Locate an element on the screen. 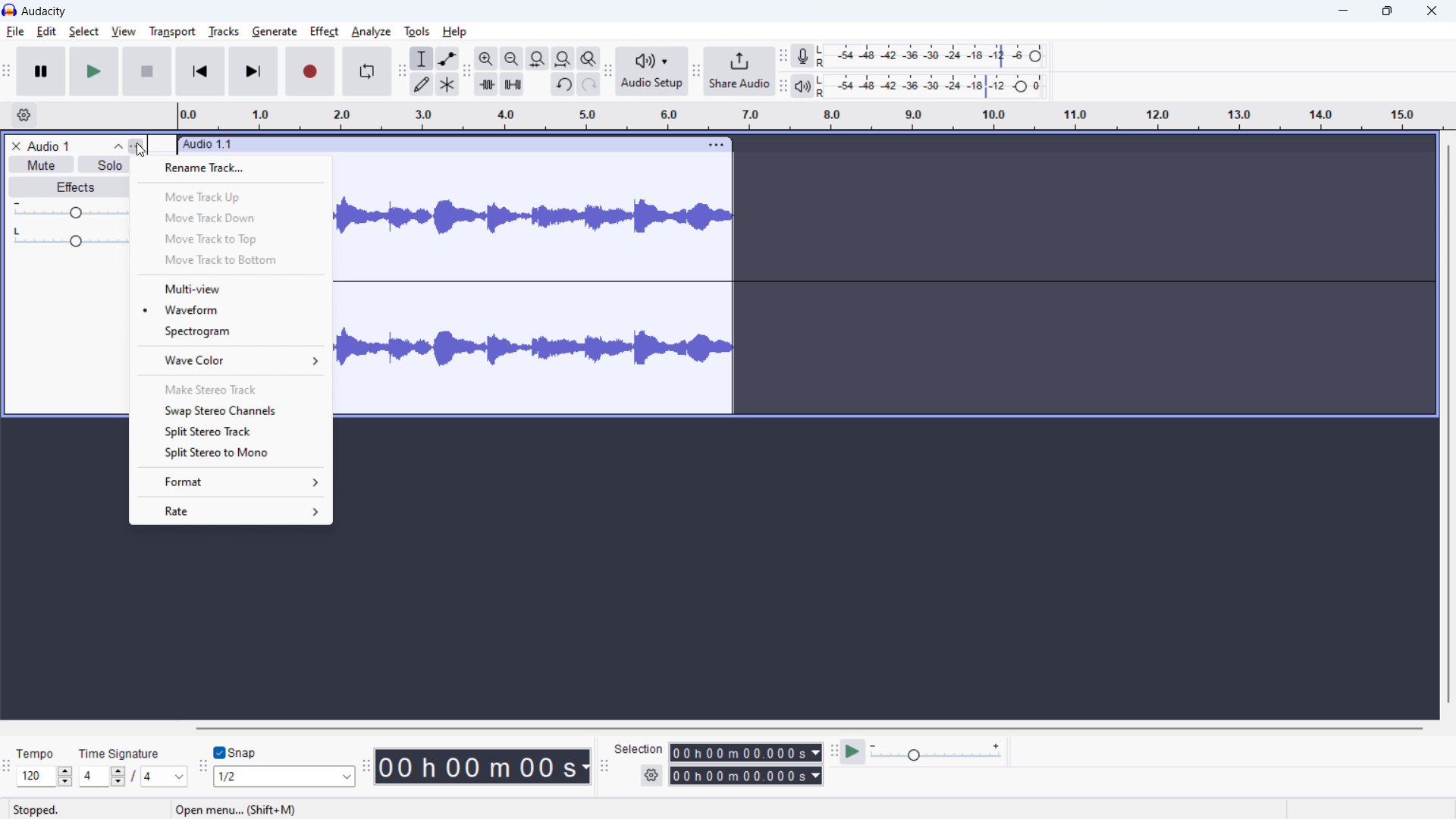  undo is located at coordinates (563, 84).